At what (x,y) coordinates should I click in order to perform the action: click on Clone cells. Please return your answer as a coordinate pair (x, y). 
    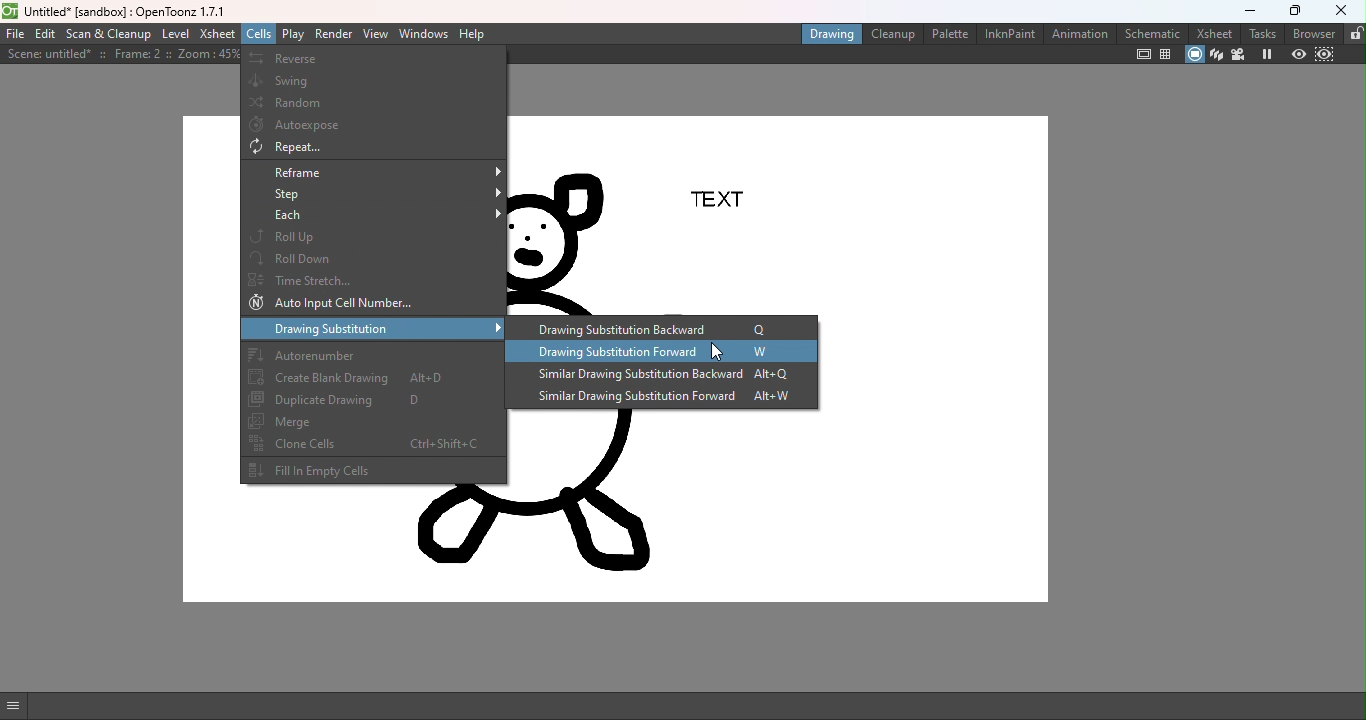
    Looking at the image, I should click on (378, 449).